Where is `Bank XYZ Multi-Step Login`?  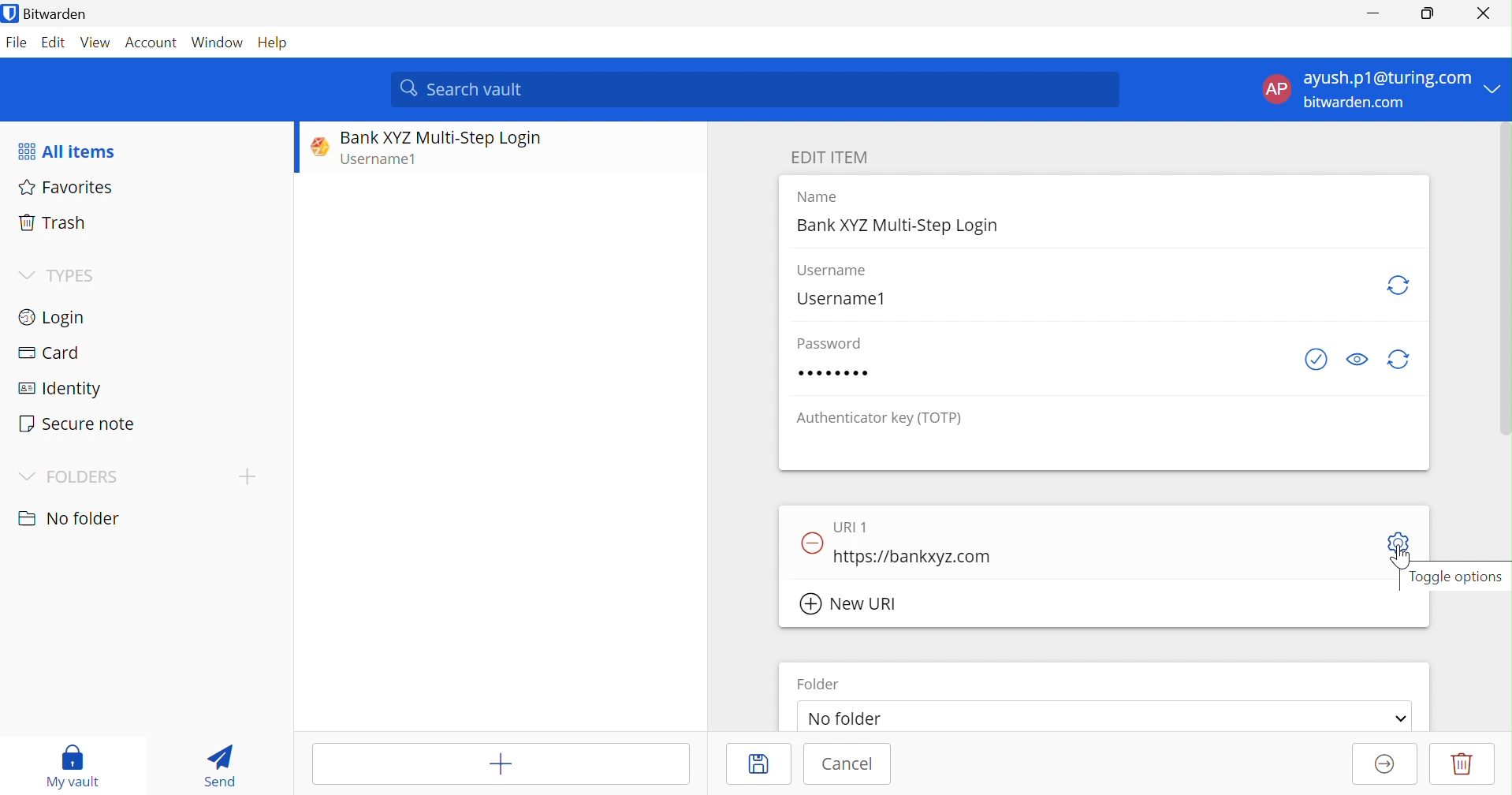 Bank XYZ Multi-Step Login is located at coordinates (441, 138).